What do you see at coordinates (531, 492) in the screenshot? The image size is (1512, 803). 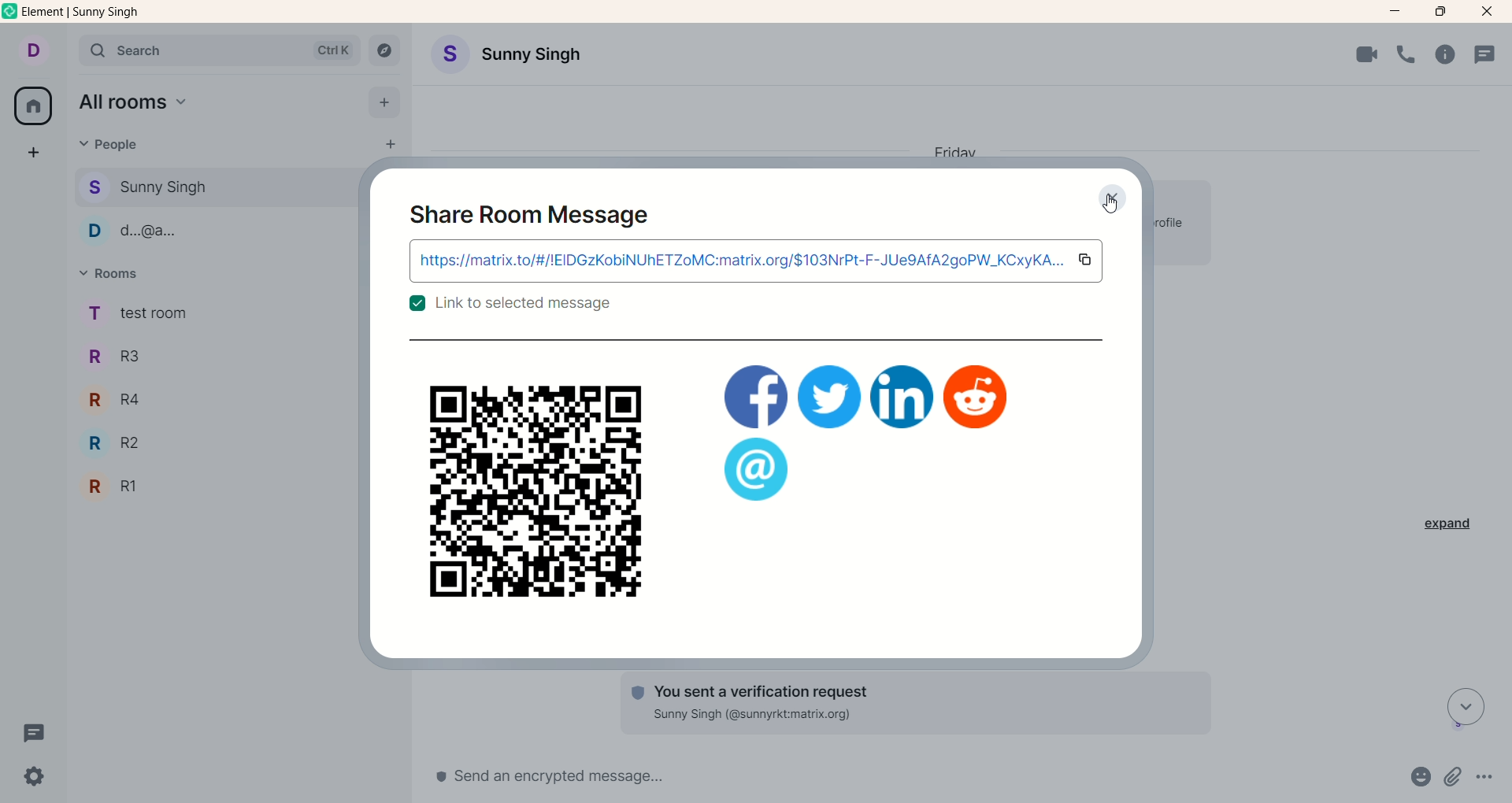 I see `QR code` at bounding box center [531, 492].